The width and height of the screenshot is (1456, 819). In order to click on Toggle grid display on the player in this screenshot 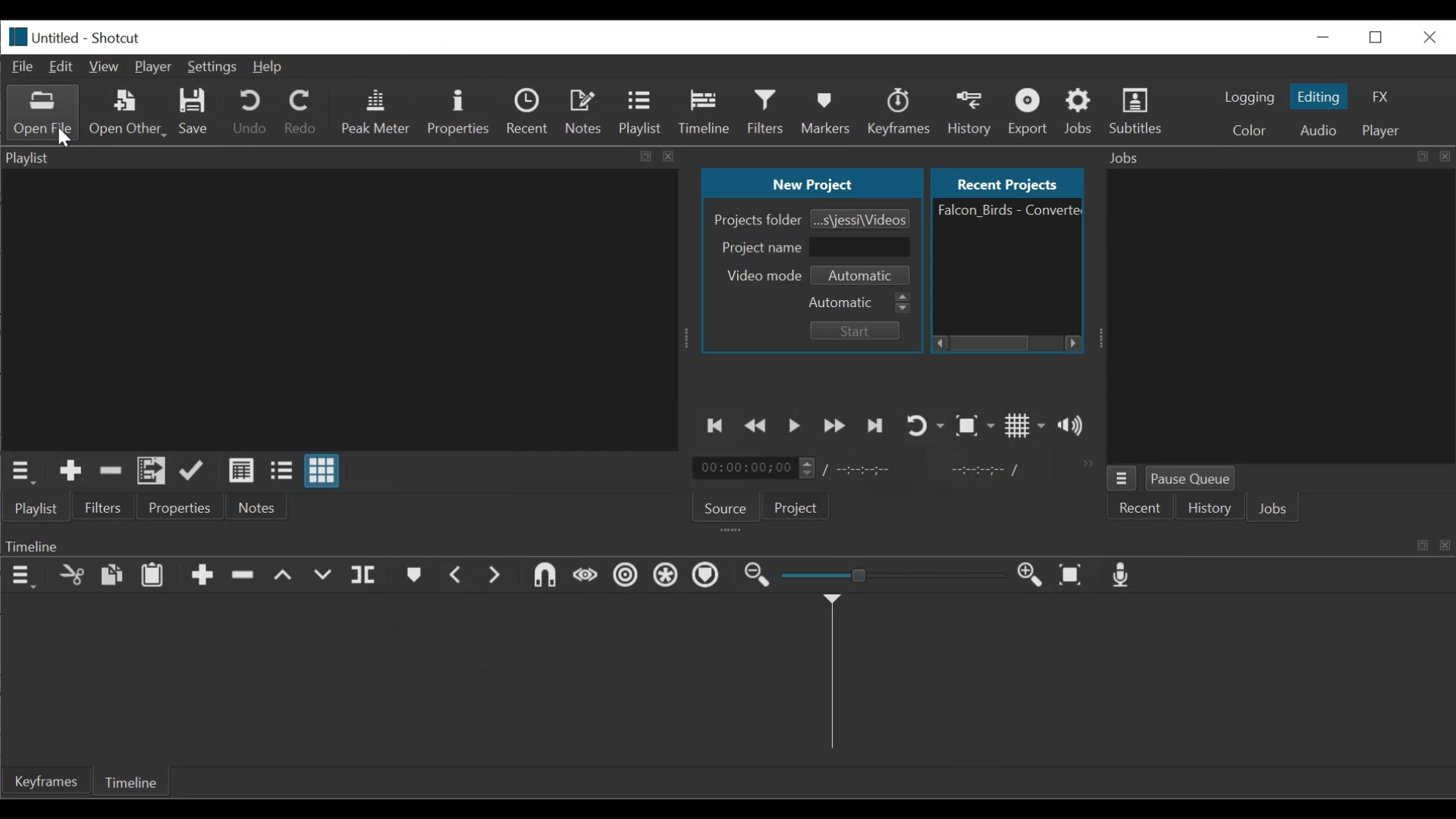, I will do `click(1027, 425)`.